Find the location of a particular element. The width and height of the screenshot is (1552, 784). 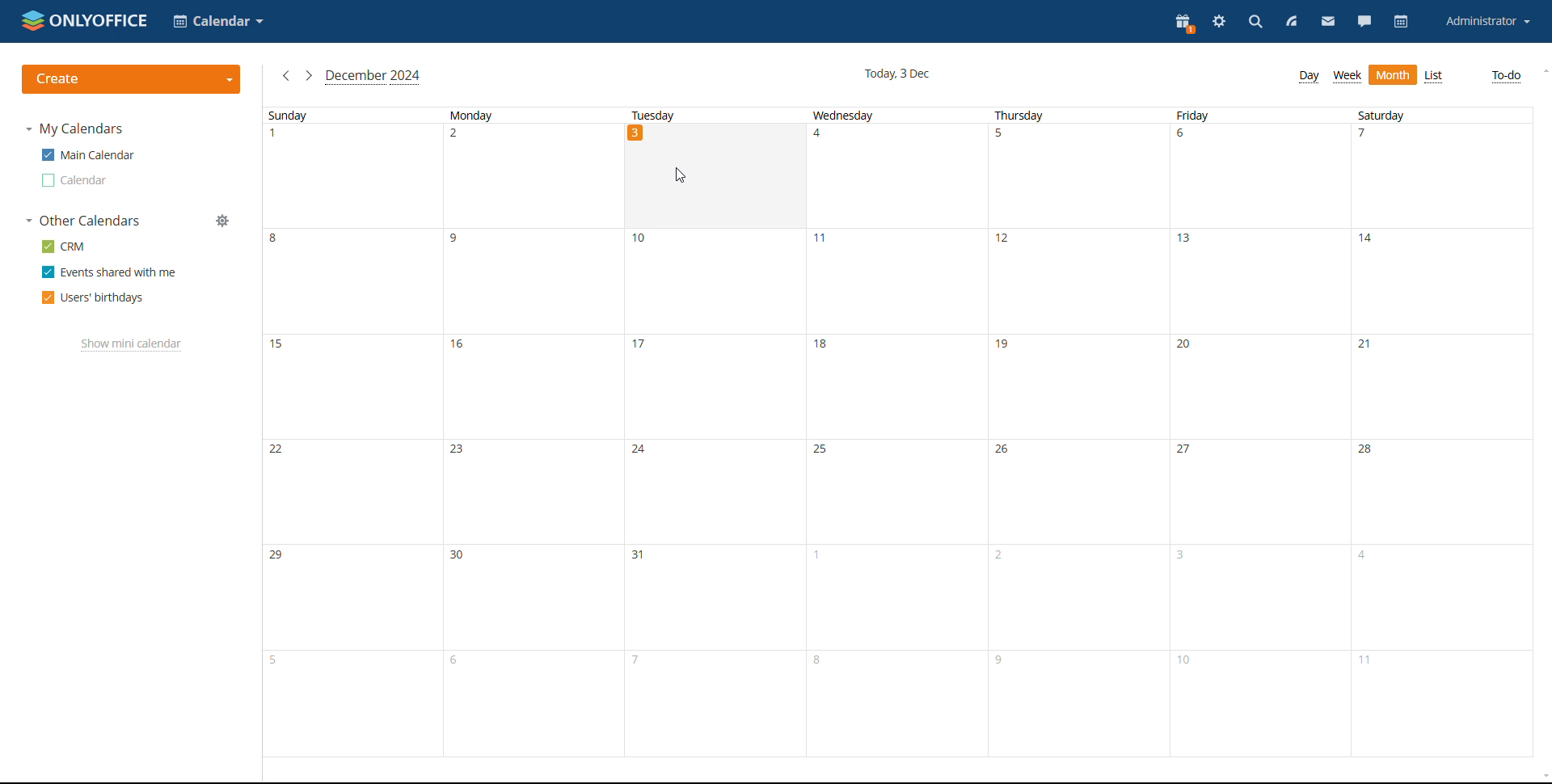

week view is located at coordinates (1347, 76).